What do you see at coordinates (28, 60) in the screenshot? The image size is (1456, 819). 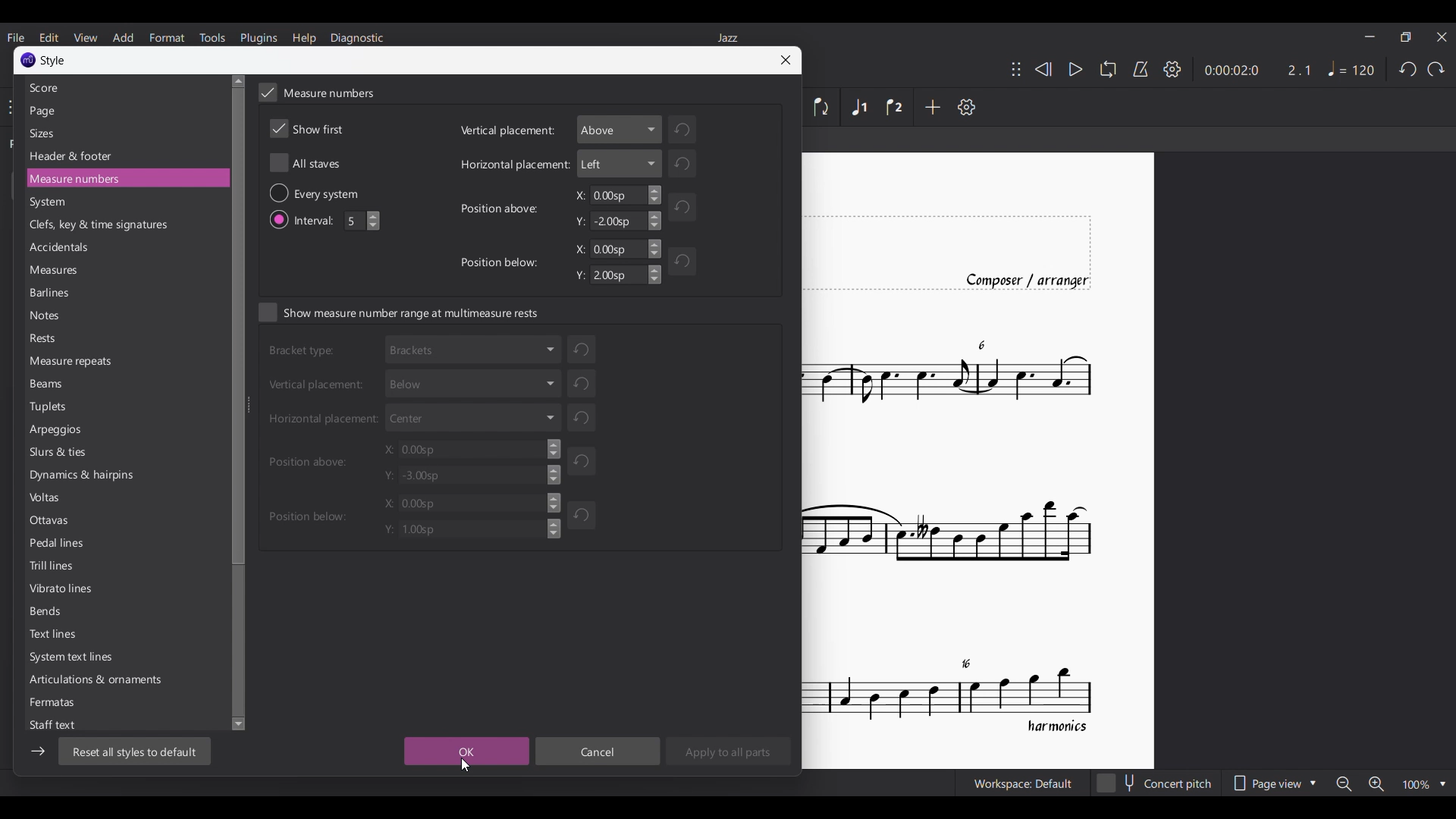 I see `Software logo` at bounding box center [28, 60].